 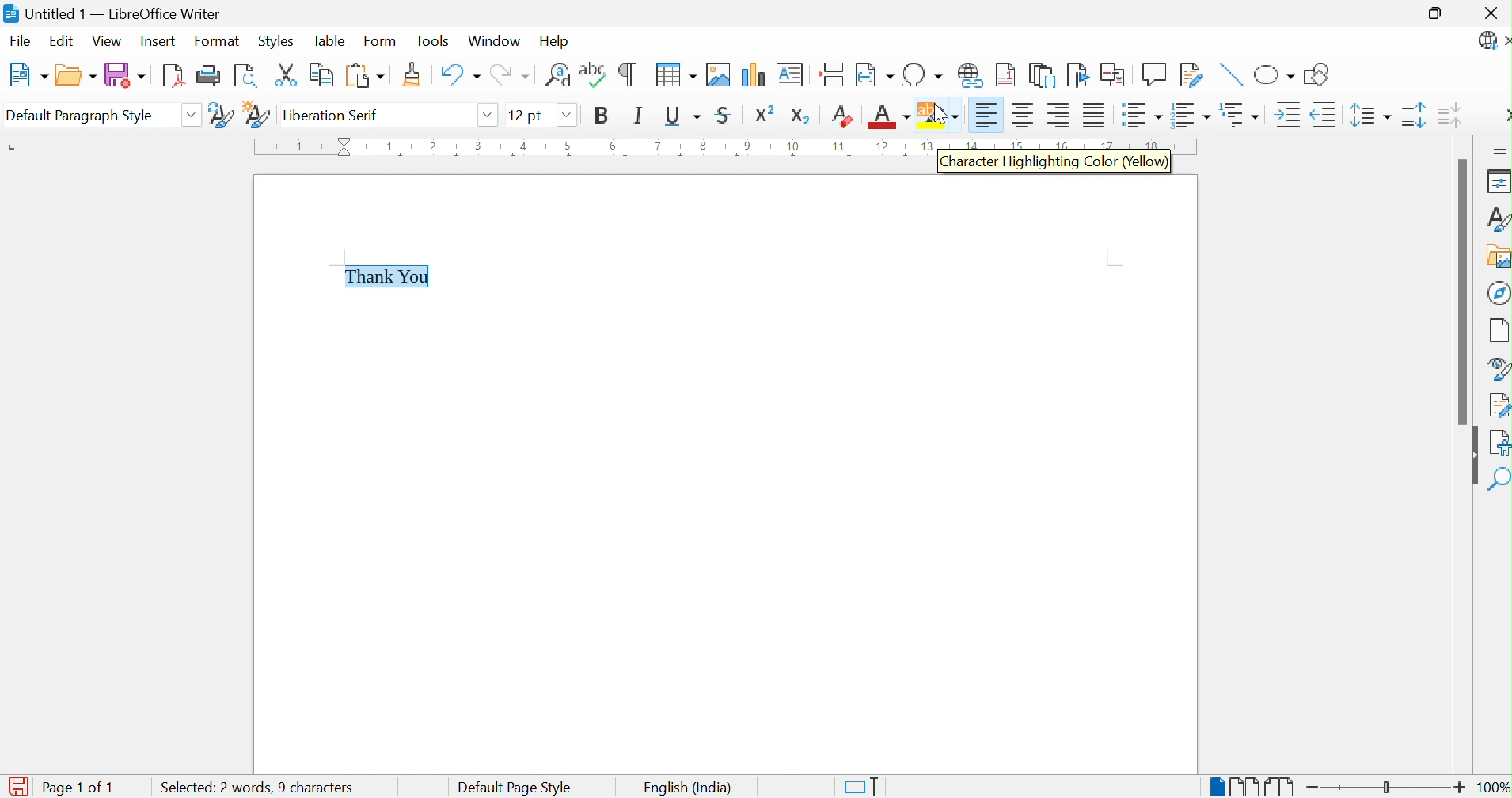 What do you see at coordinates (873, 74) in the screenshot?
I see `Insert Field` at bounding box center [873, 74].